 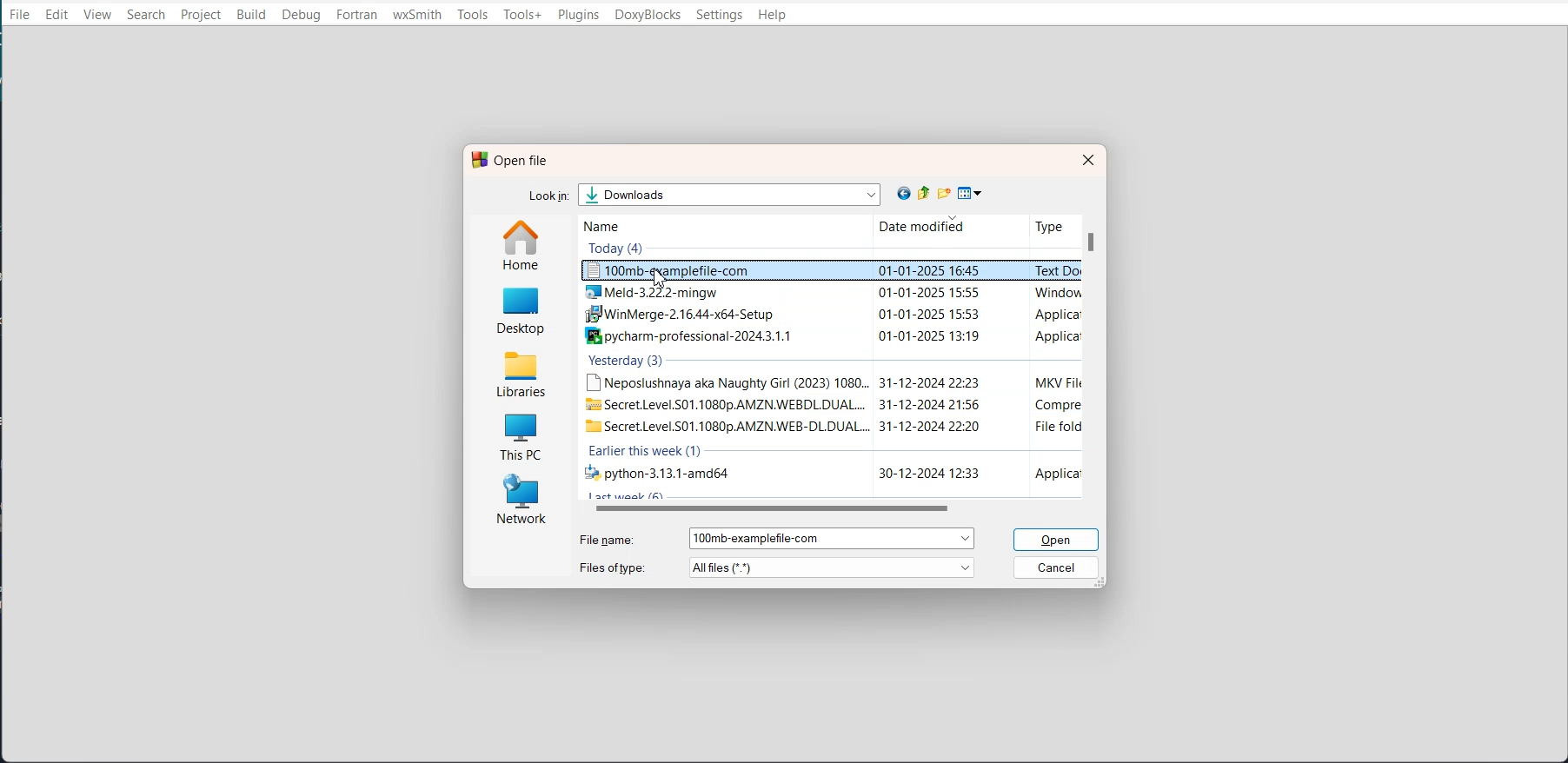 What do you see at coordinates (417, 16) in the screenshot?
I see `wxSmith` at bounding box center [417, 16].